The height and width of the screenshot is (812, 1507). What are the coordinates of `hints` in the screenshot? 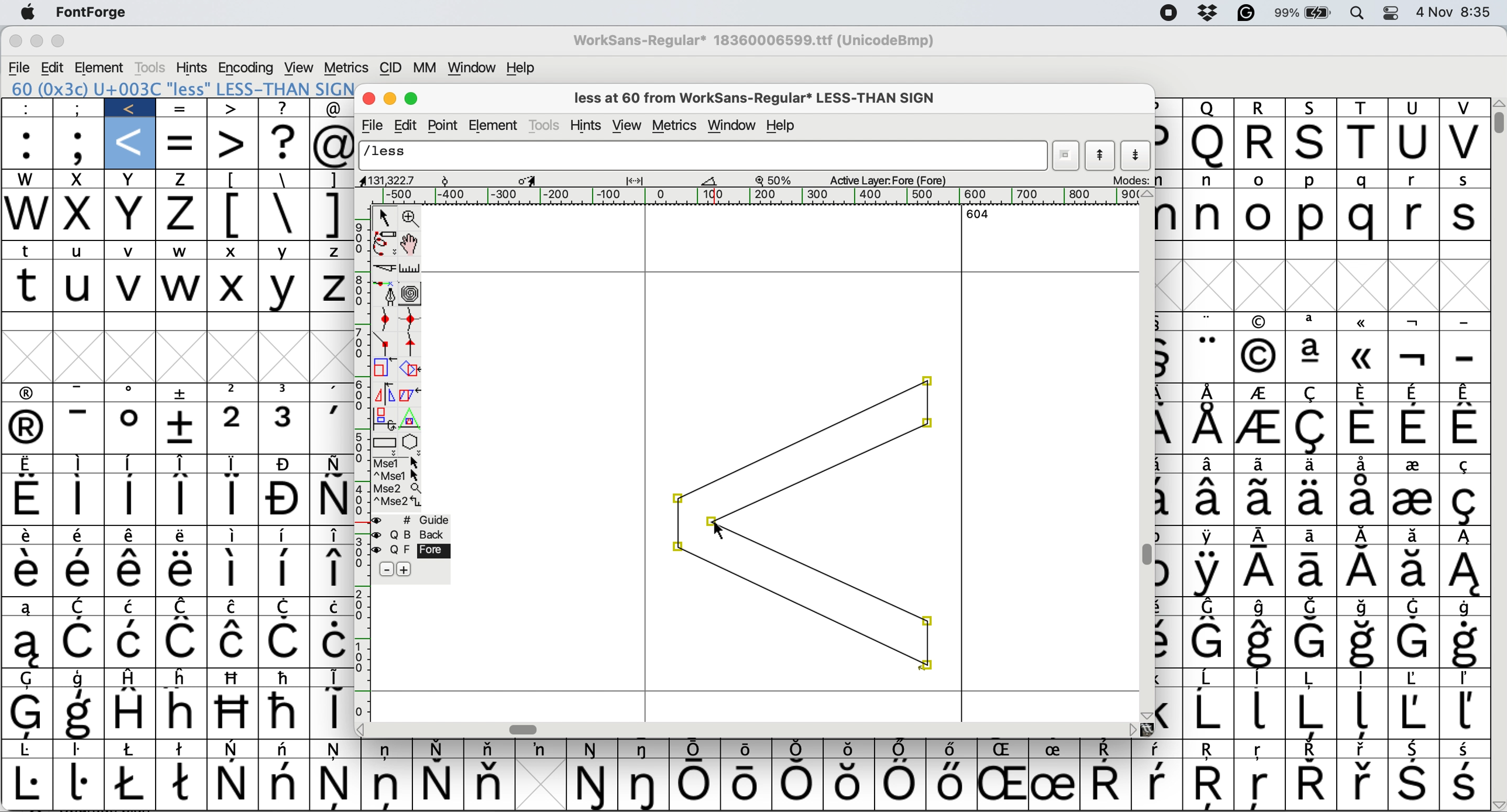 It's located at (192, 67).